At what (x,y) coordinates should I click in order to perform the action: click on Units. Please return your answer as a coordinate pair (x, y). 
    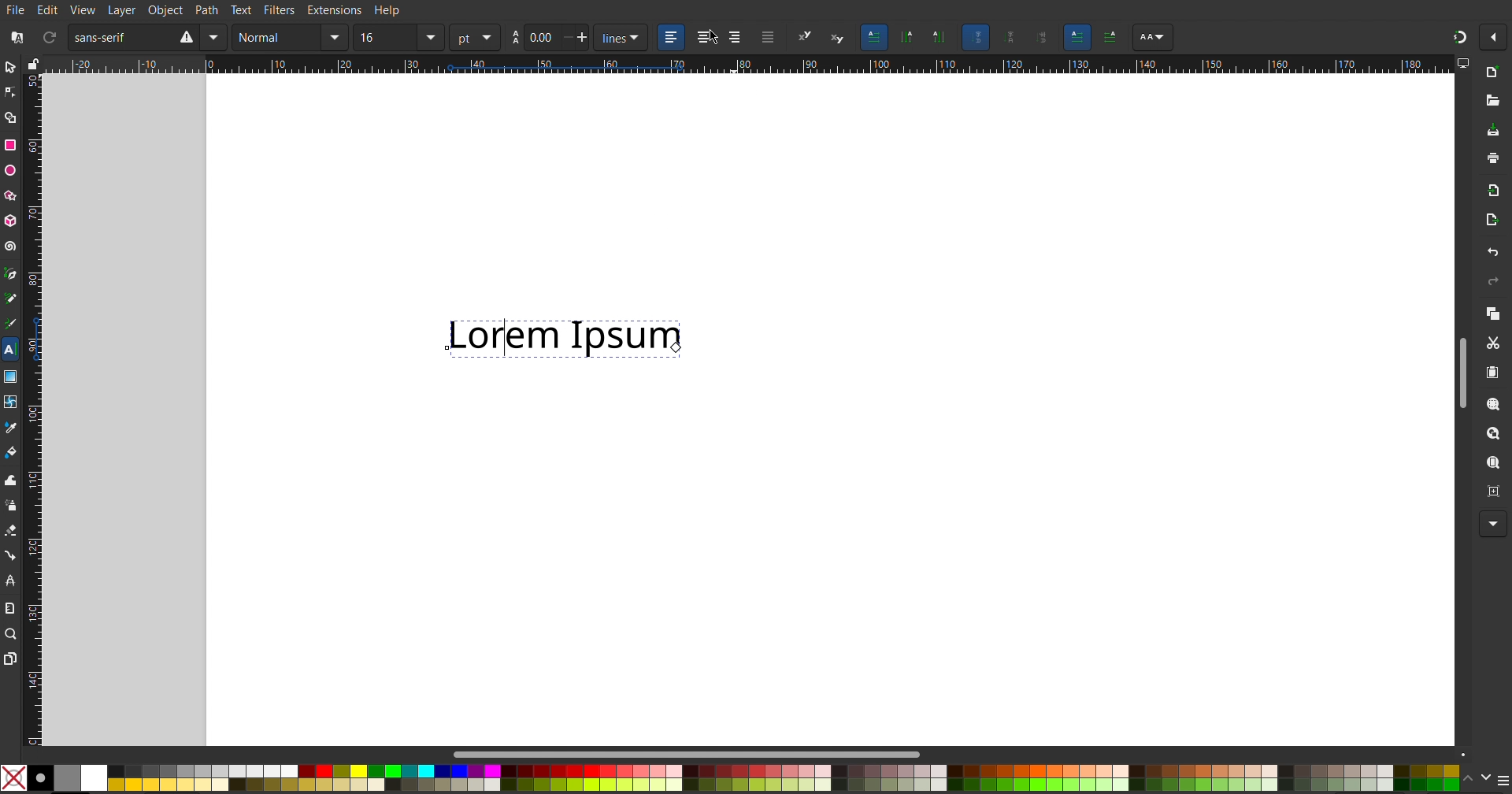
    Looking at the image, I should click on (623, 38).